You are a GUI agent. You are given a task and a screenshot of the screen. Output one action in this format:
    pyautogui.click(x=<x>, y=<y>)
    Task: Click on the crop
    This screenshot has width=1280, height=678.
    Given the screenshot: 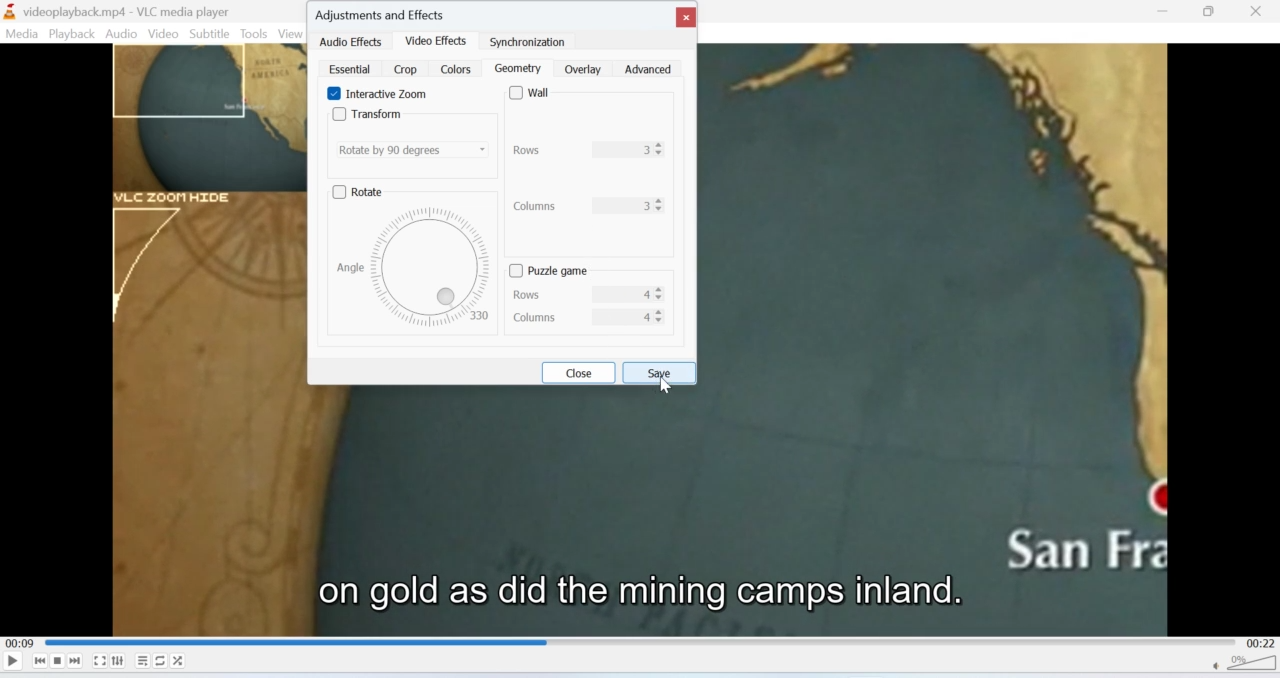 What is the action you would take?
    pyautogui.click(x=404, y=69)
    